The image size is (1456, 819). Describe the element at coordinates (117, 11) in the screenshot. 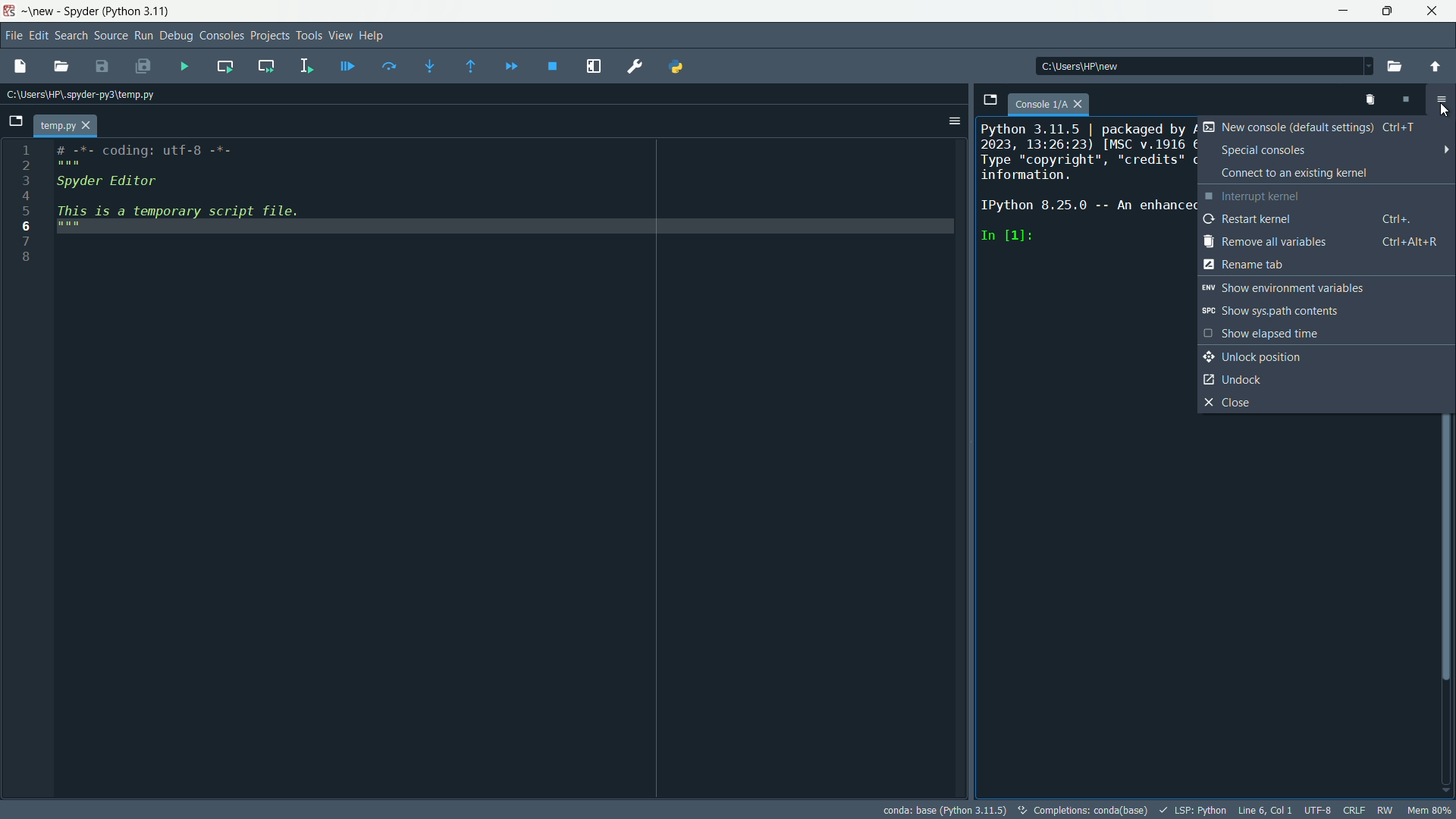

I see `Spyder (Python 3.11)` at that location.